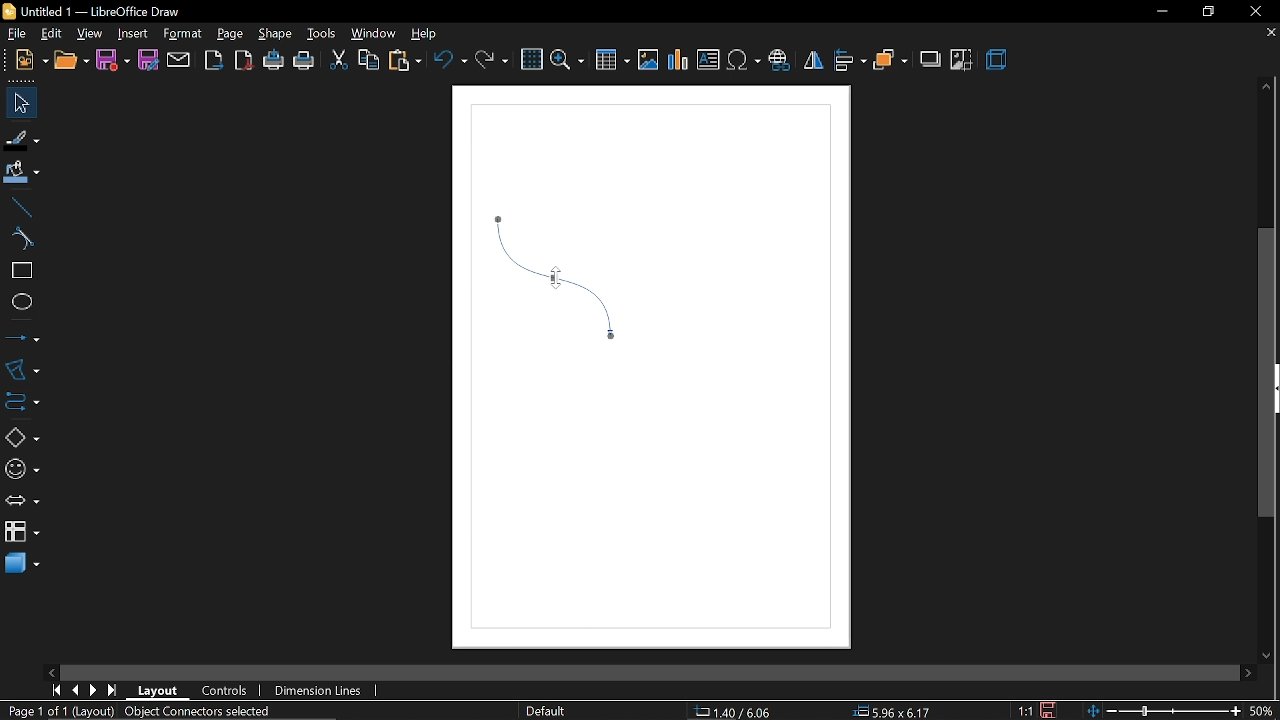  What do you see at coordinates (147, 60) in the screenshot?
I see `save as` at bounding box center [147, 60].